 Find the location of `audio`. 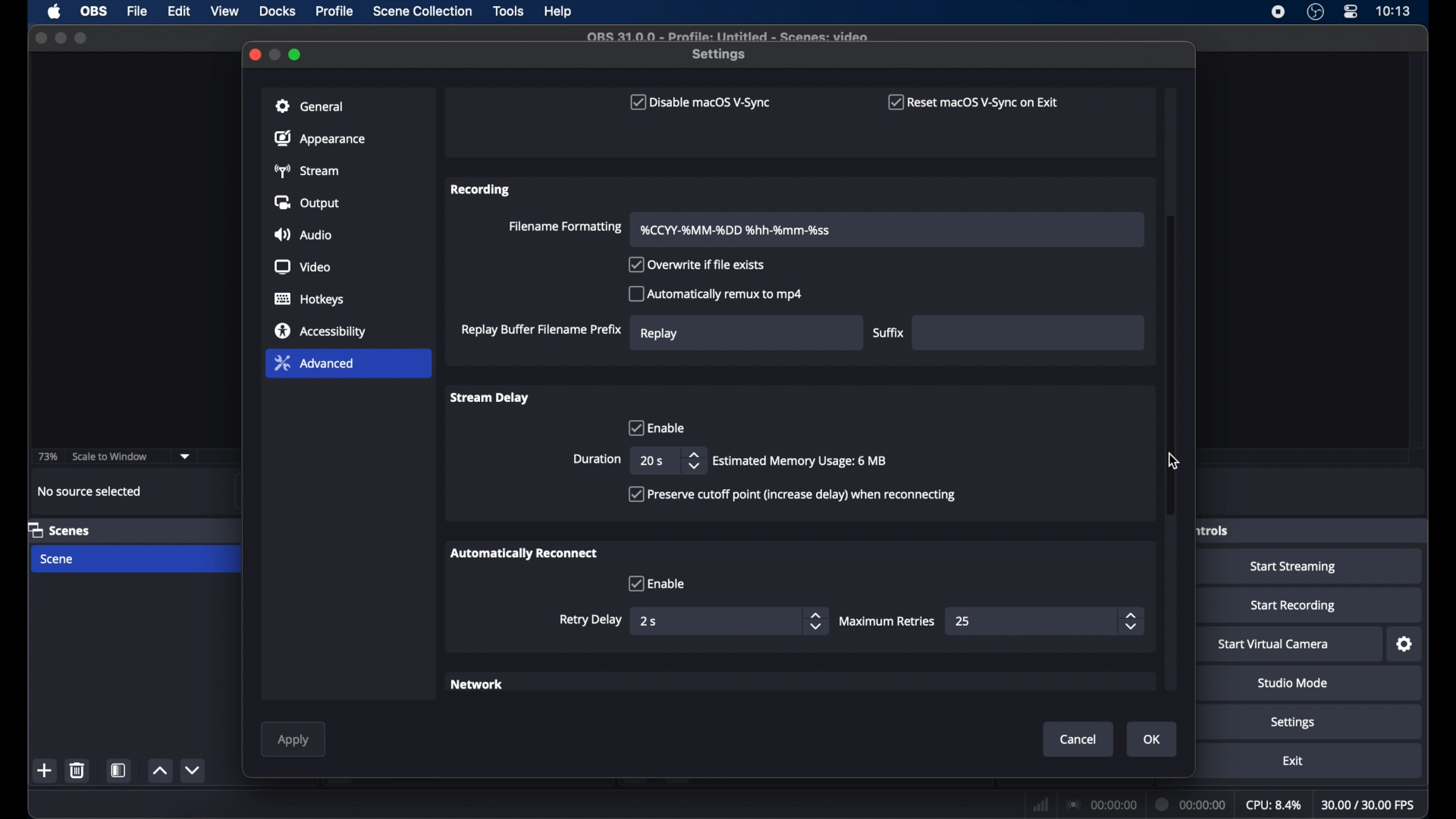

audio is located at coordinates (302, 236).